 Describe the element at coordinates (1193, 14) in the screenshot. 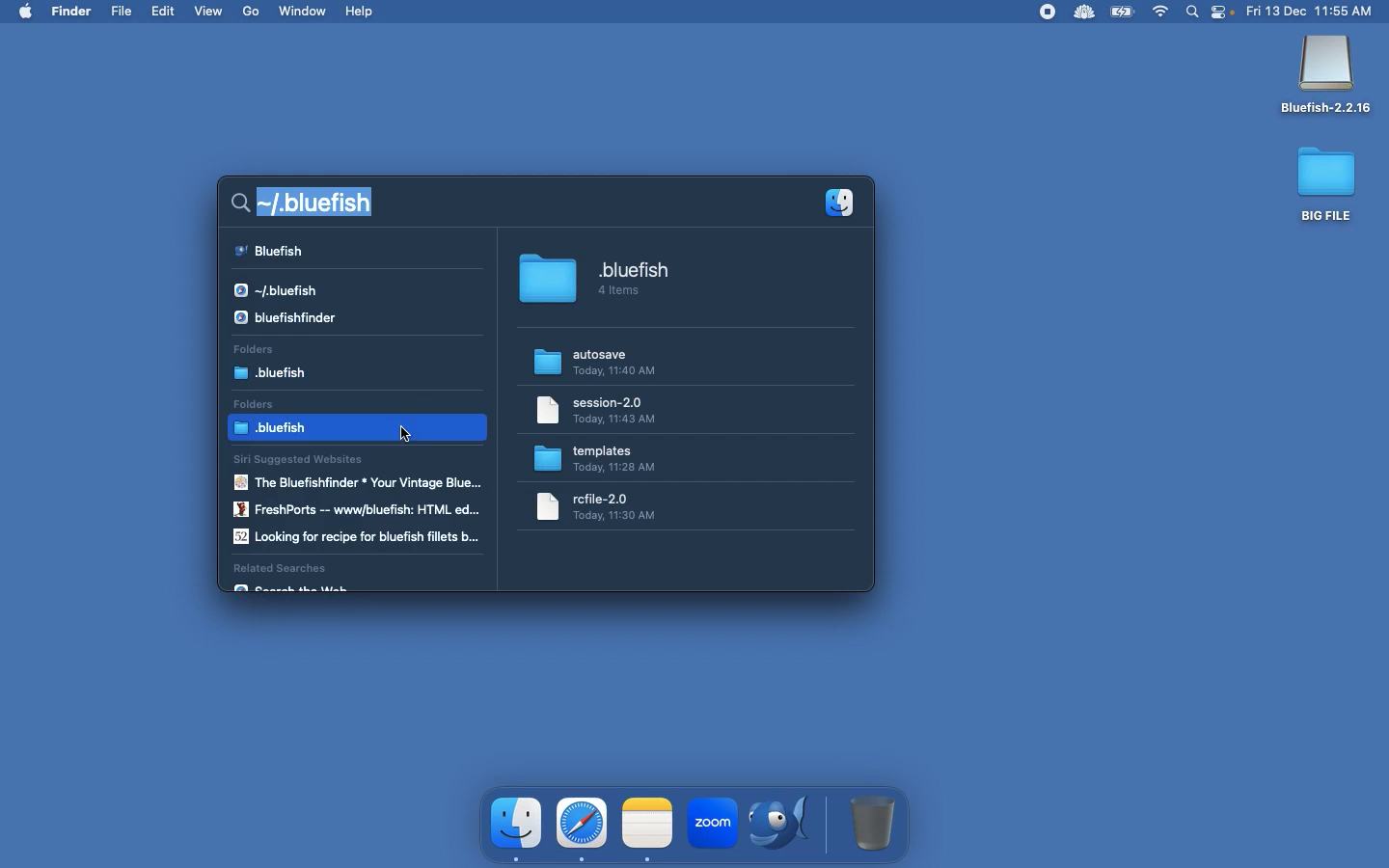

I see `Search` at that location.